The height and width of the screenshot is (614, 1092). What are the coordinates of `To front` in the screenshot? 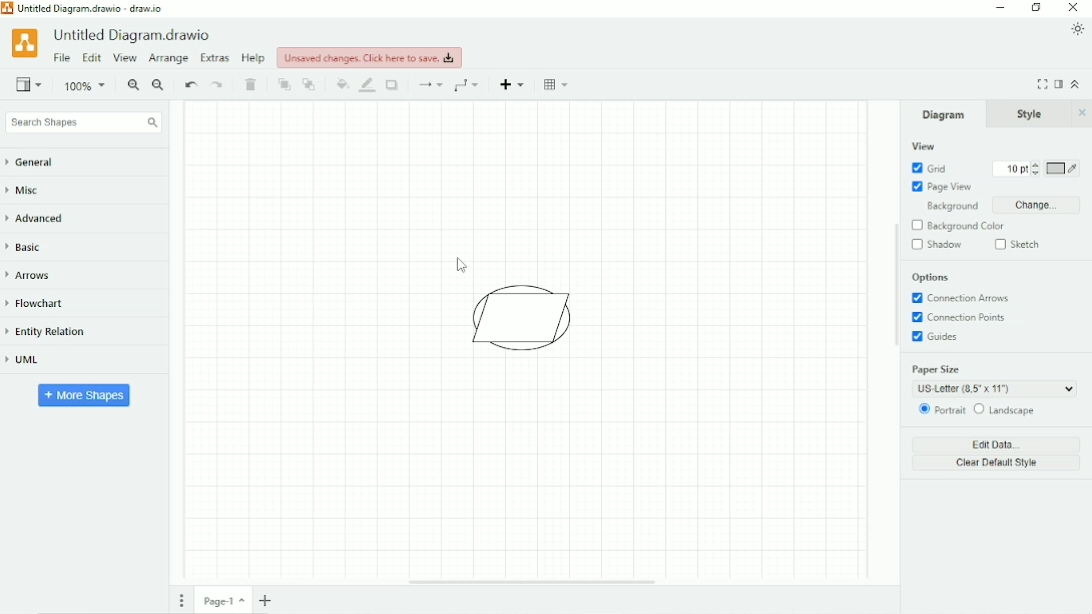 It's located at (284, 85).